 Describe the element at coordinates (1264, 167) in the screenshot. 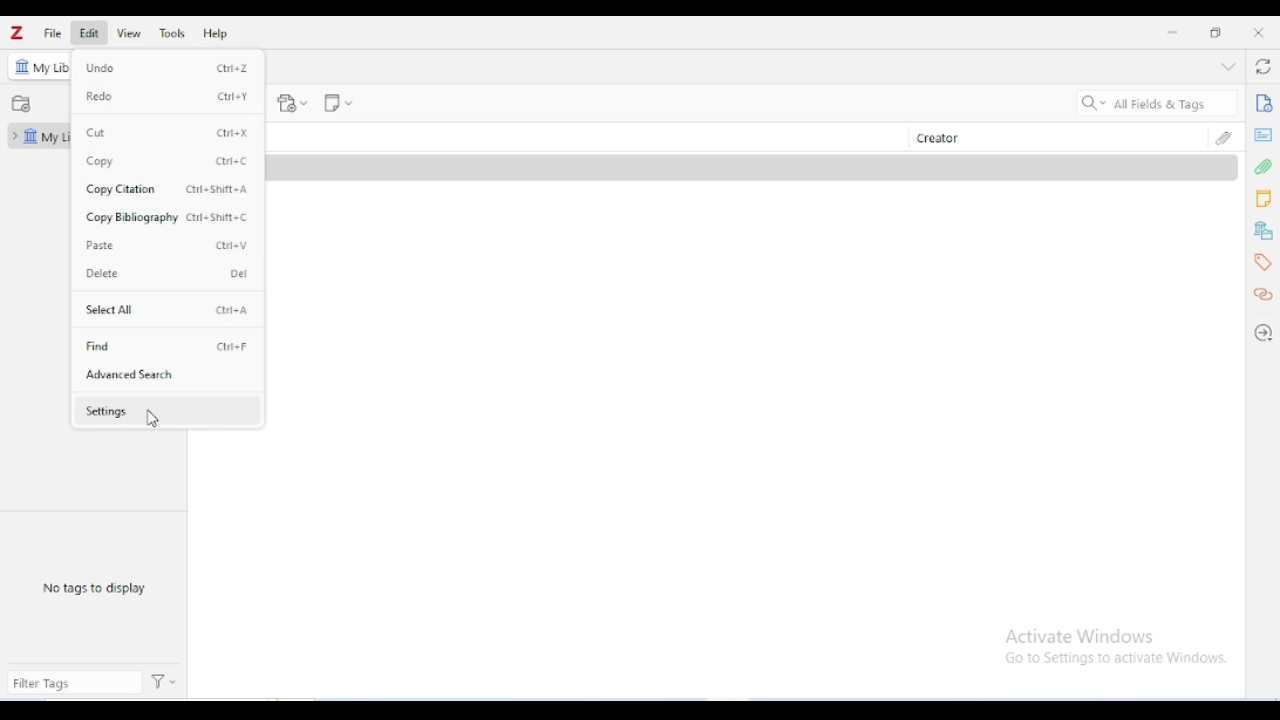

I see `attachments` at that location.